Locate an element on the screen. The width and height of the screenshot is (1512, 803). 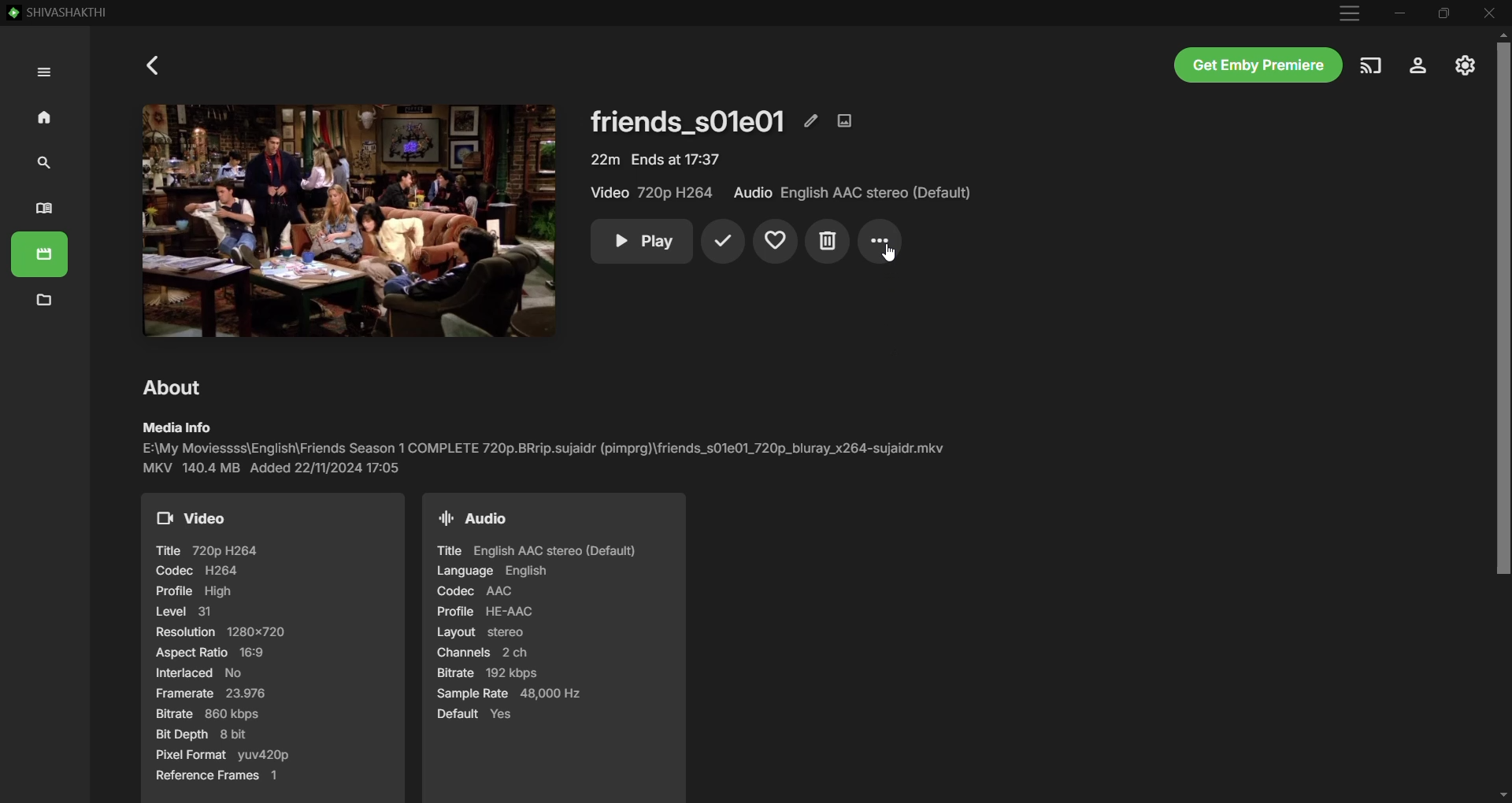
Video details is located at coordinates (273, 648).